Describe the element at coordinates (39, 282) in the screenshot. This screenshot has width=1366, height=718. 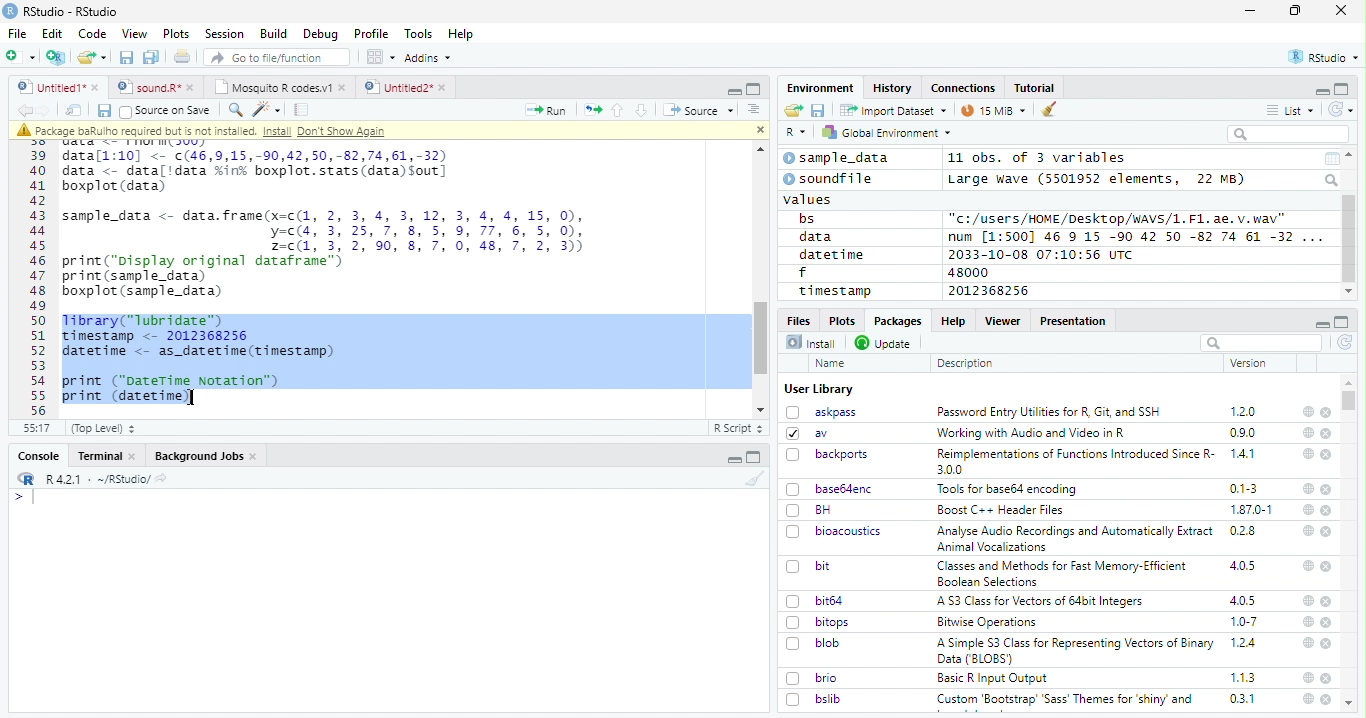
I see `Numbering line` at that location.